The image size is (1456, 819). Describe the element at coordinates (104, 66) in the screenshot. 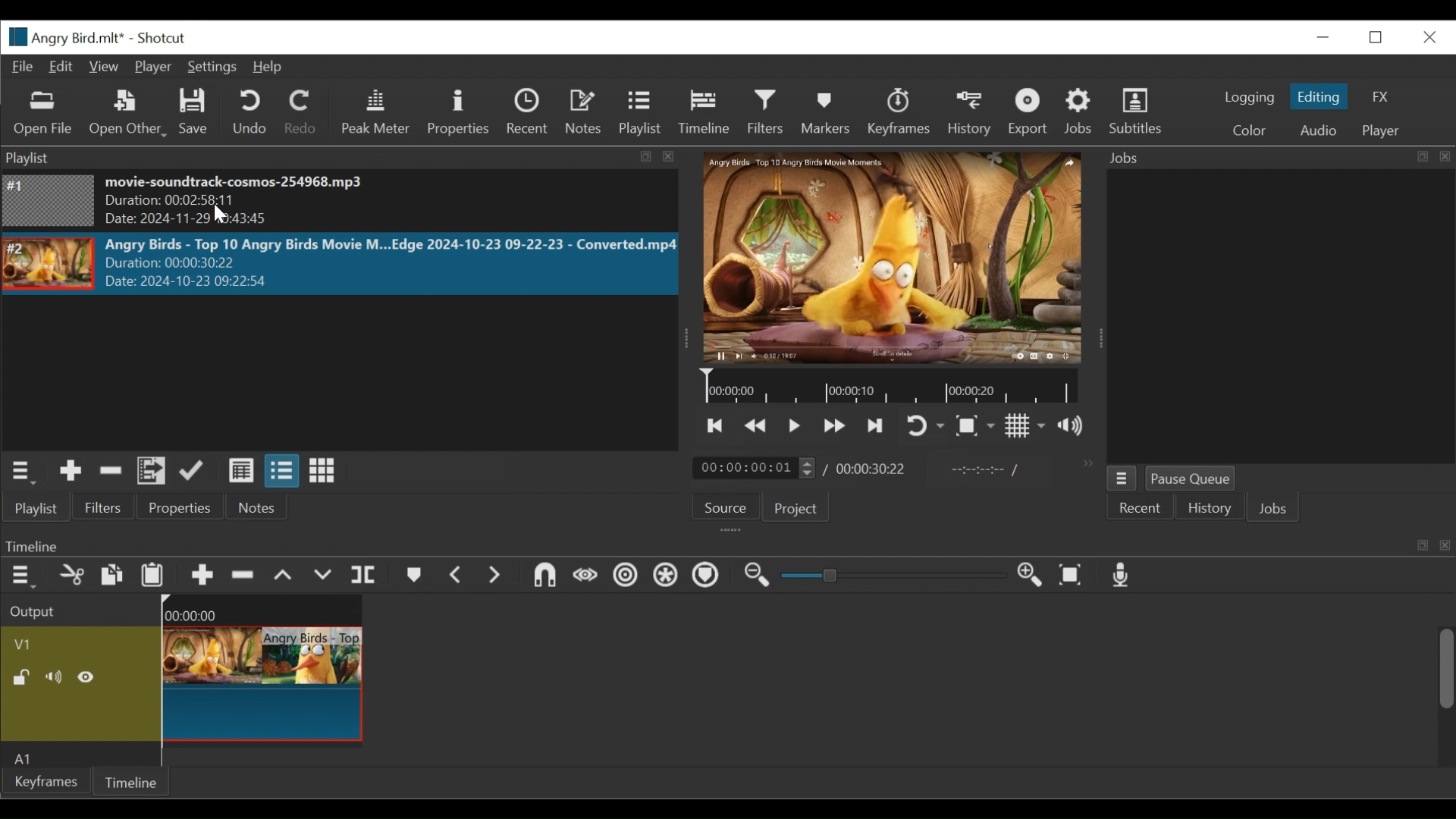

I see `View` at that location.